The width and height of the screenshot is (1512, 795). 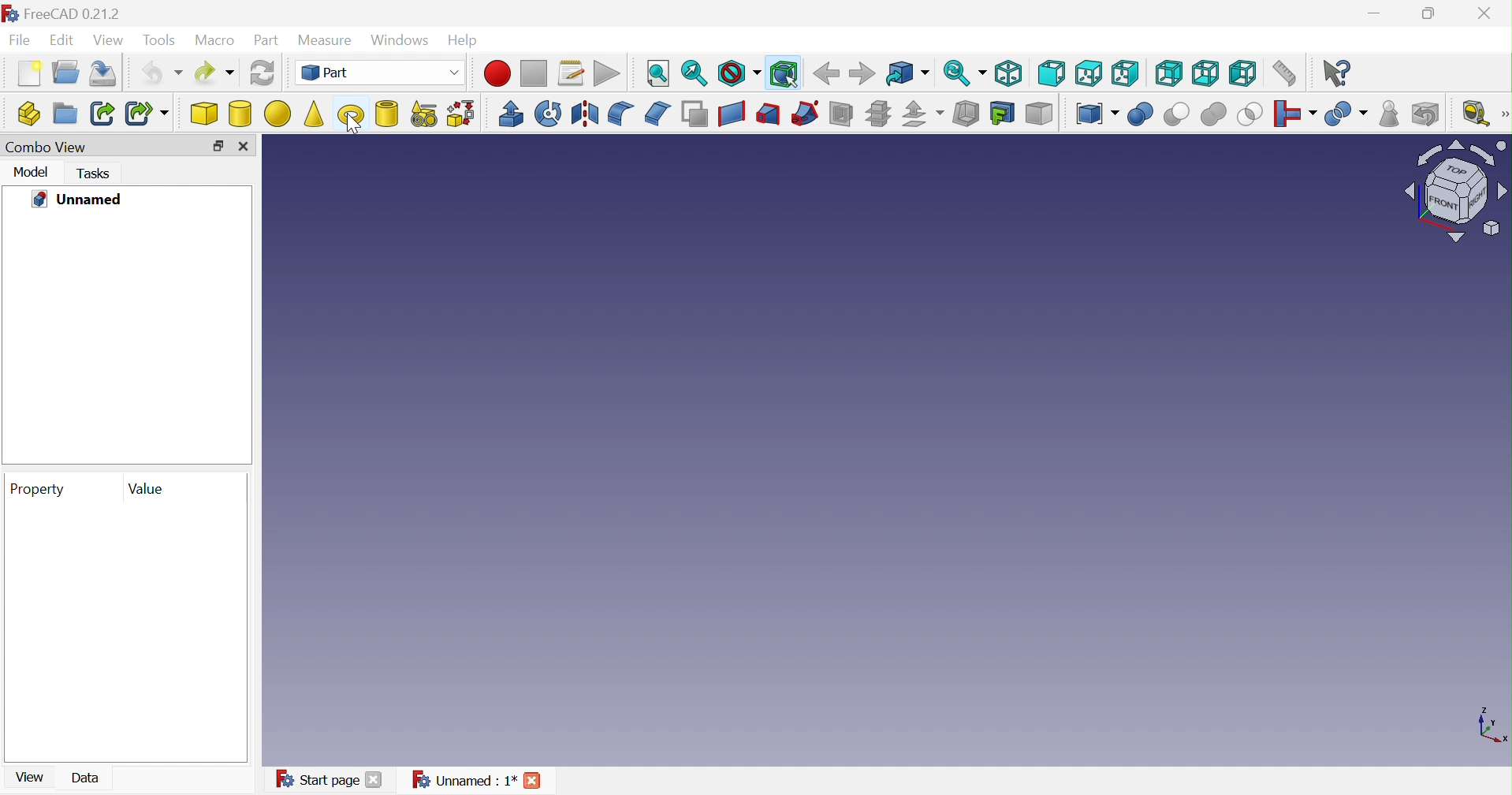 What do you see at coordinates (694, 73) in the screenshot?
I see `Fit selection` at bounding box center [694, 73].